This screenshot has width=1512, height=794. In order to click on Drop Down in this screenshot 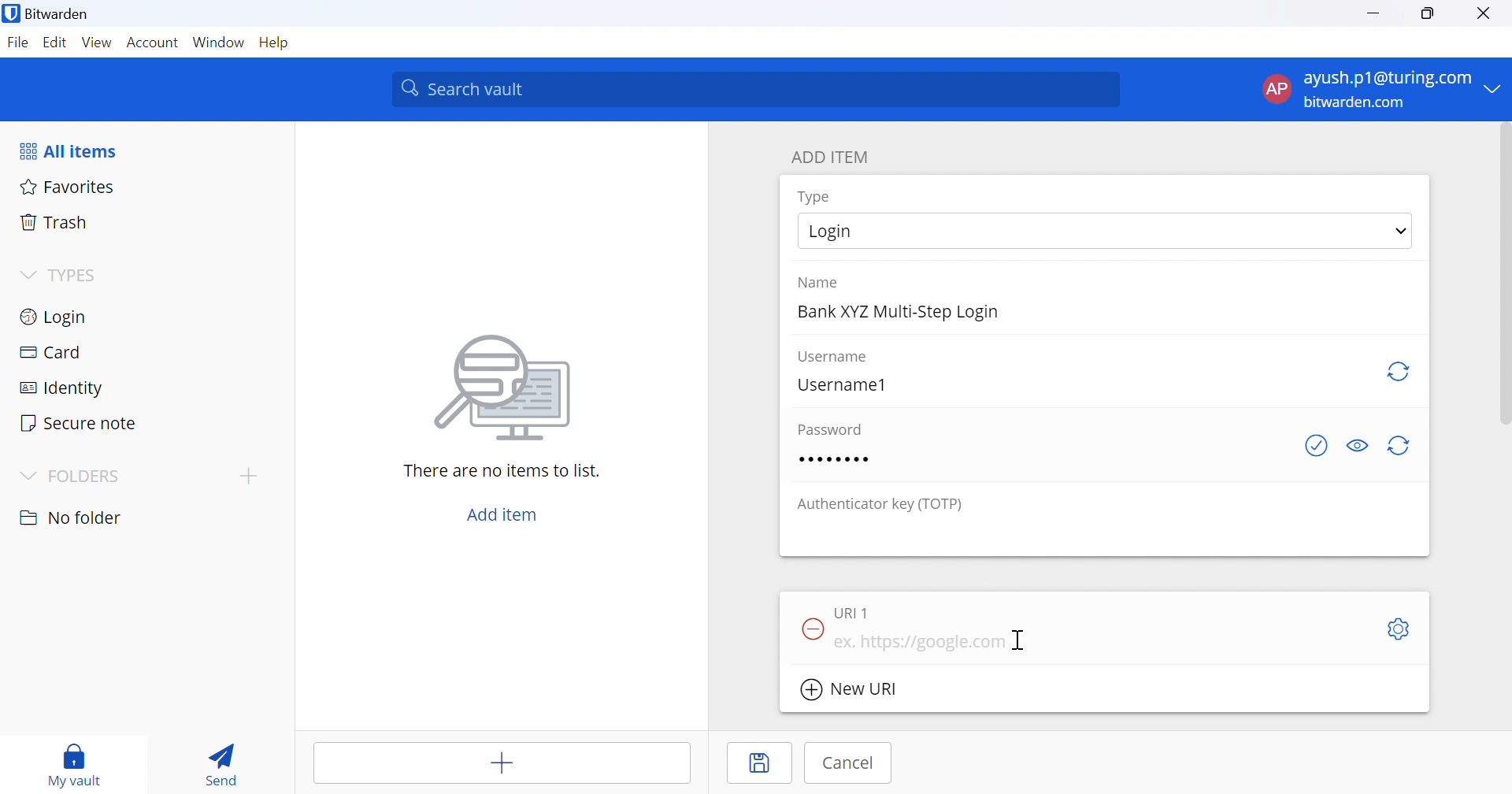, I will do `click(1398, 232)`.